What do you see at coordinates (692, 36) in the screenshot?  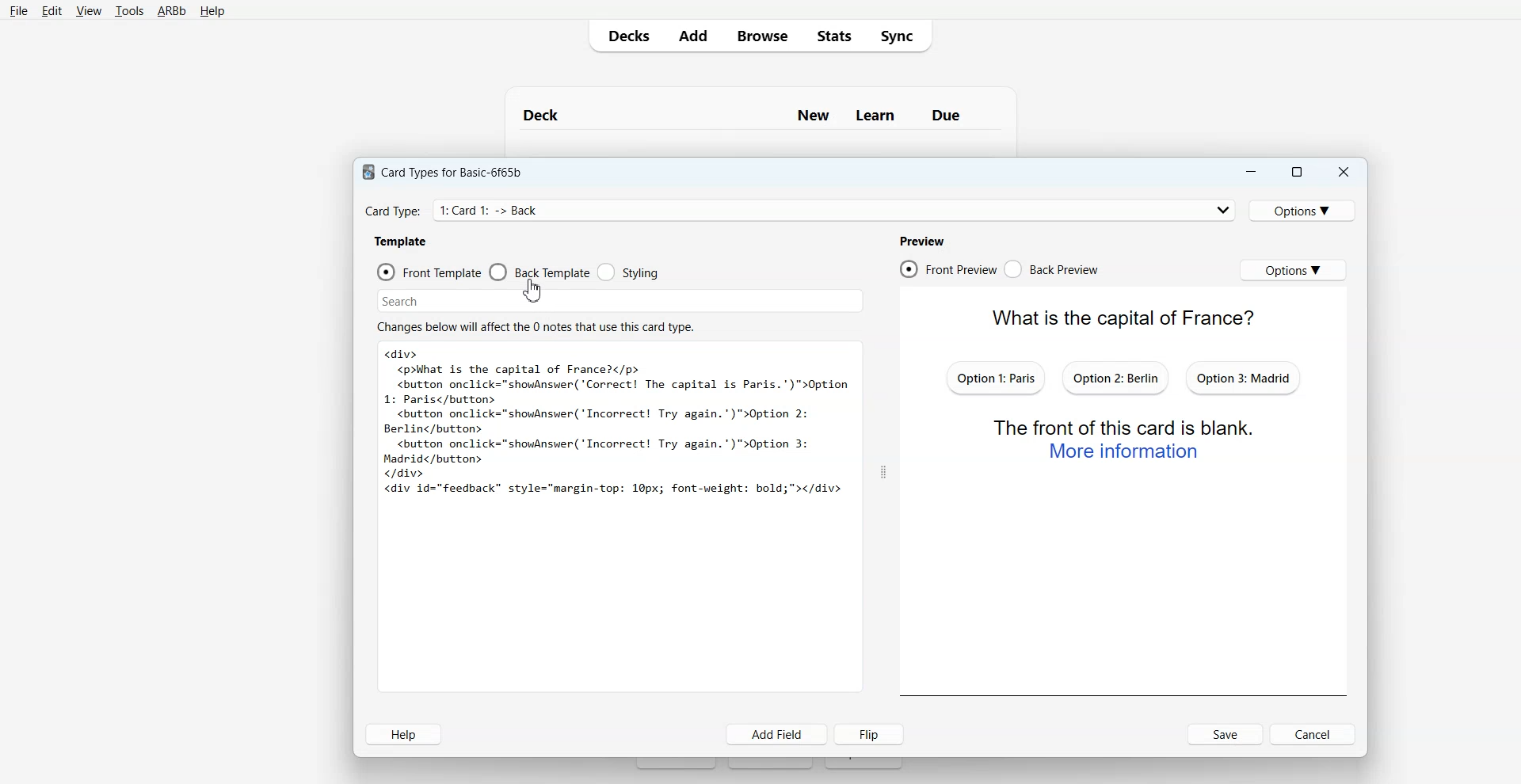 I see `Add` at bounding box center [692, 36].